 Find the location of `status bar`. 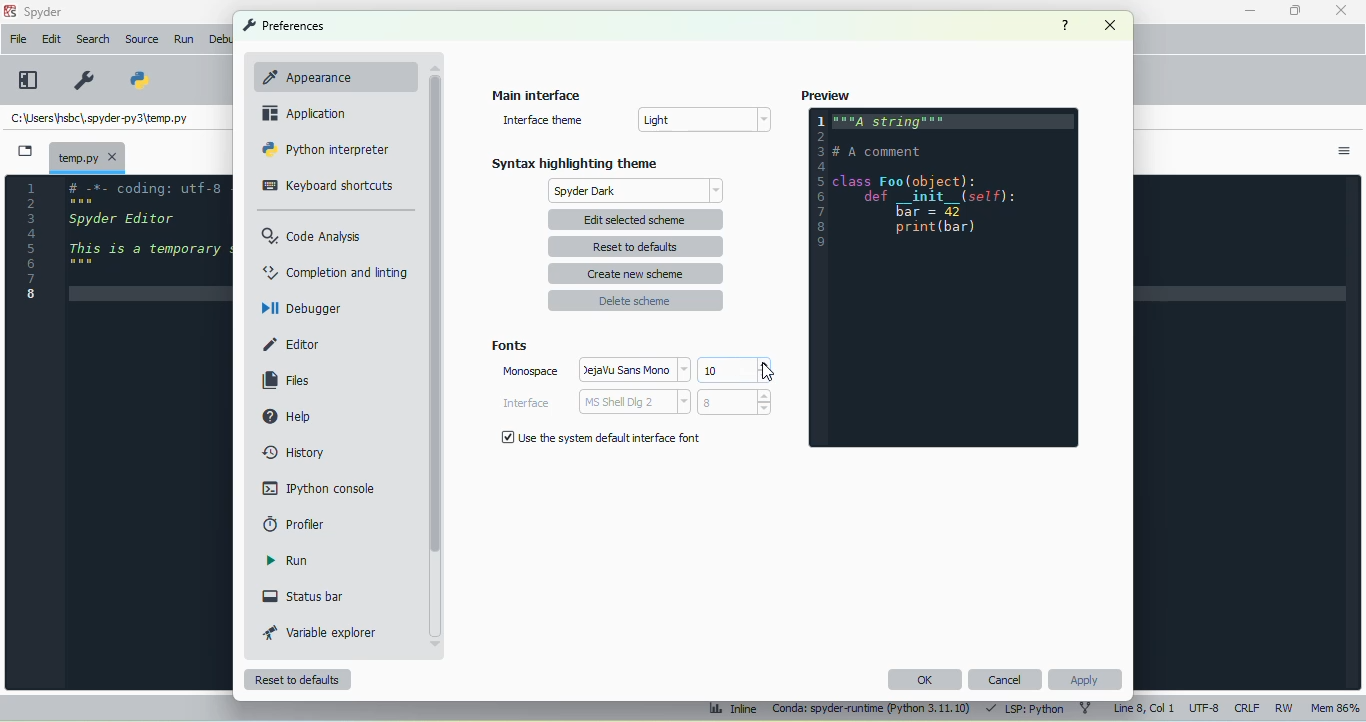

status bar is located at coordinates (303, 596).